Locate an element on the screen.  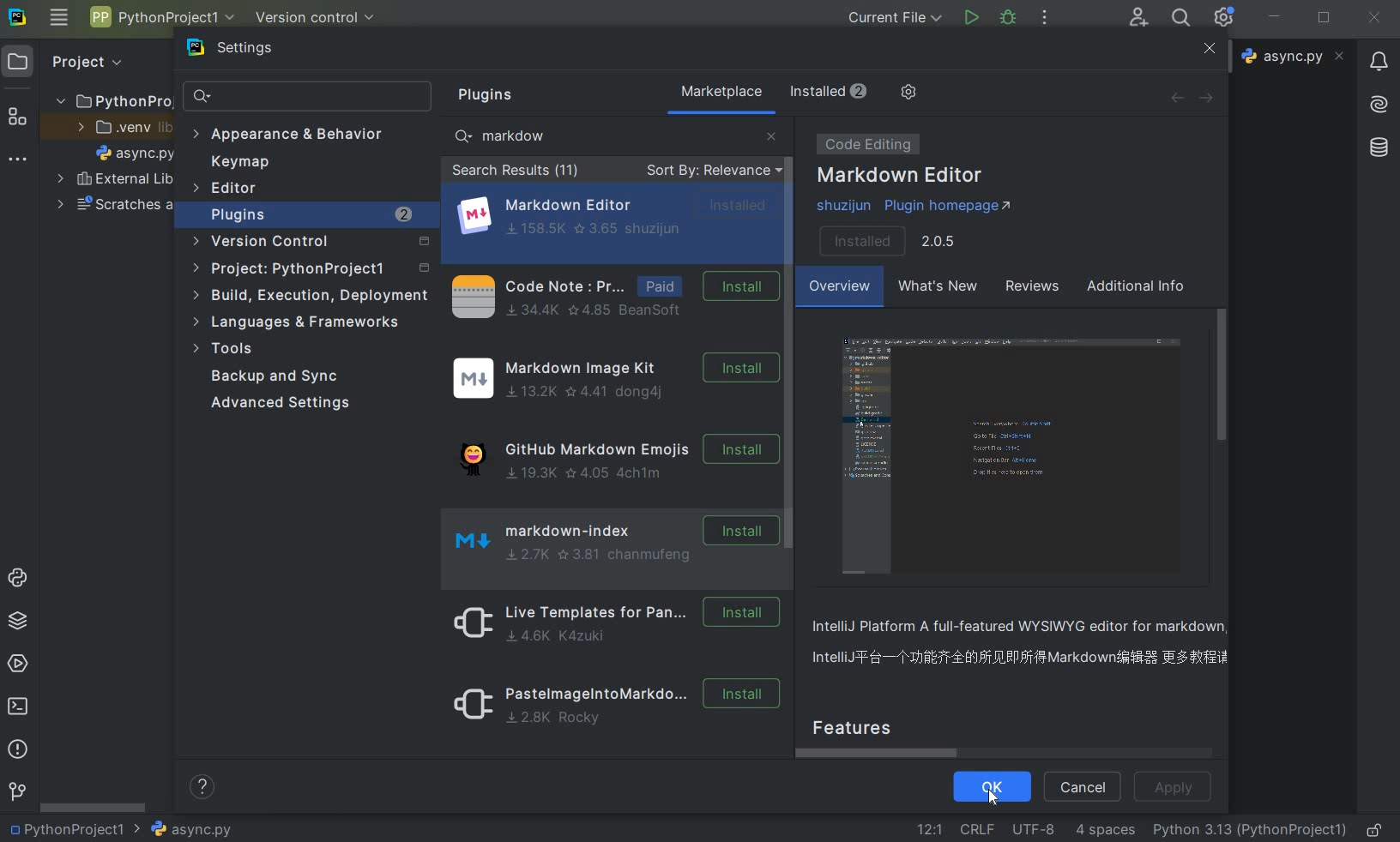
debug is located at coordinates (1010, 20).